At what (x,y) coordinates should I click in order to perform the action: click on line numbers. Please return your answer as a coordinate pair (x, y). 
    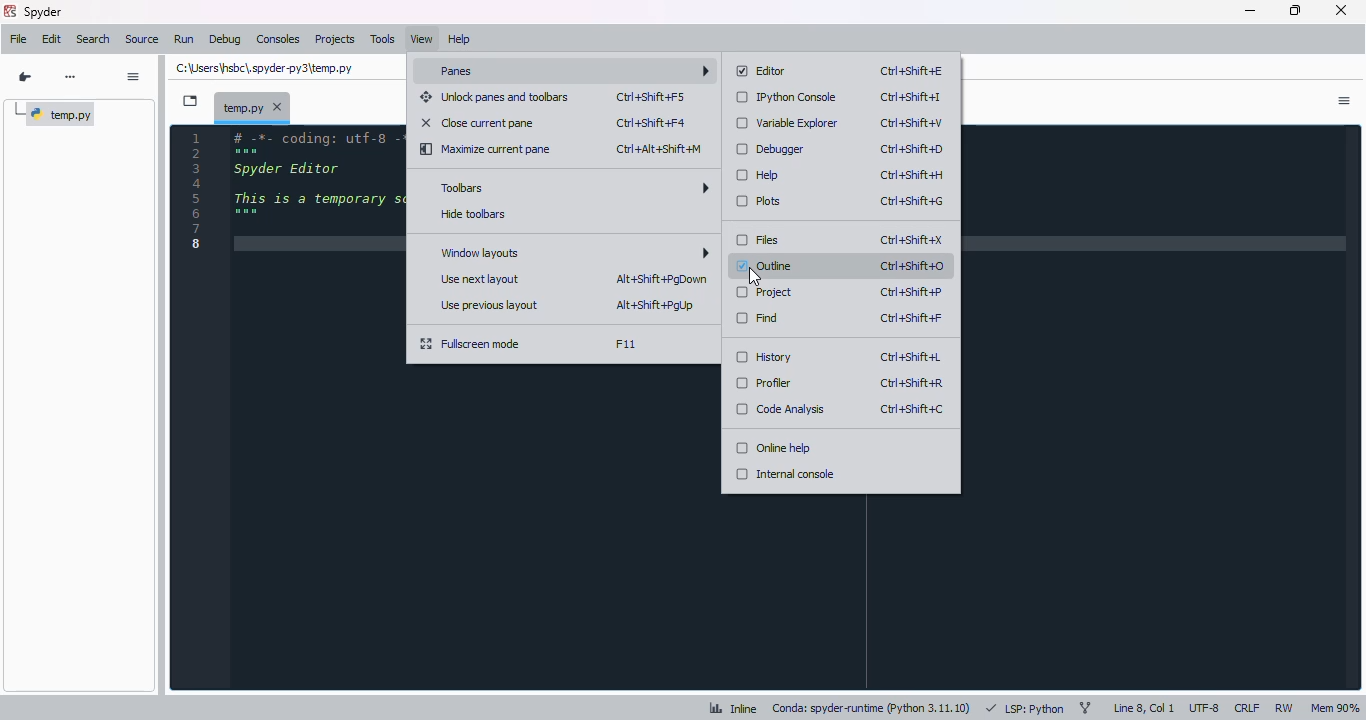
    Looking at the image, I should click on (196, 190).